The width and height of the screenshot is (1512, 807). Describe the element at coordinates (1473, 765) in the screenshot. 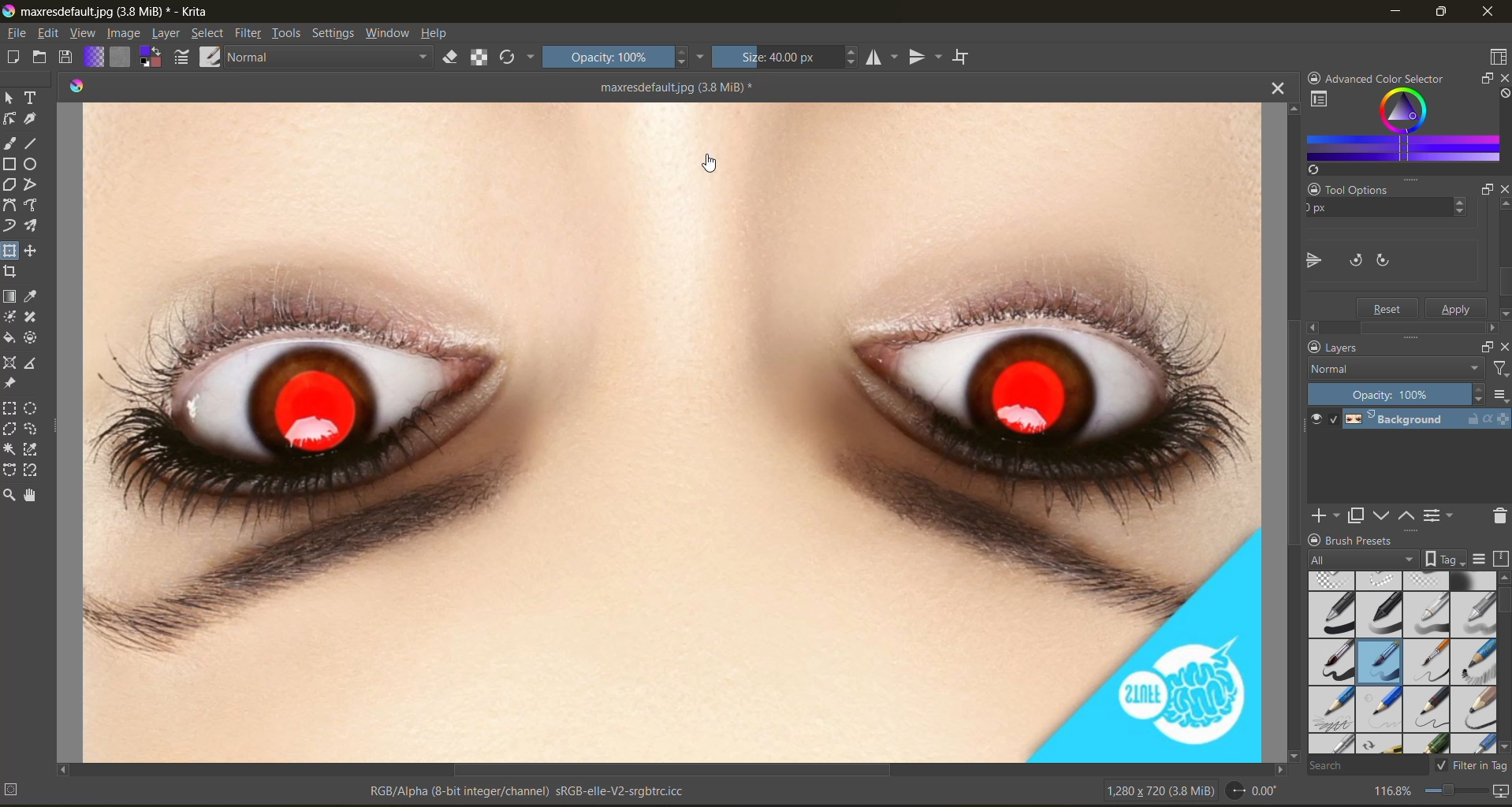

I see `filter in tag` at that location.